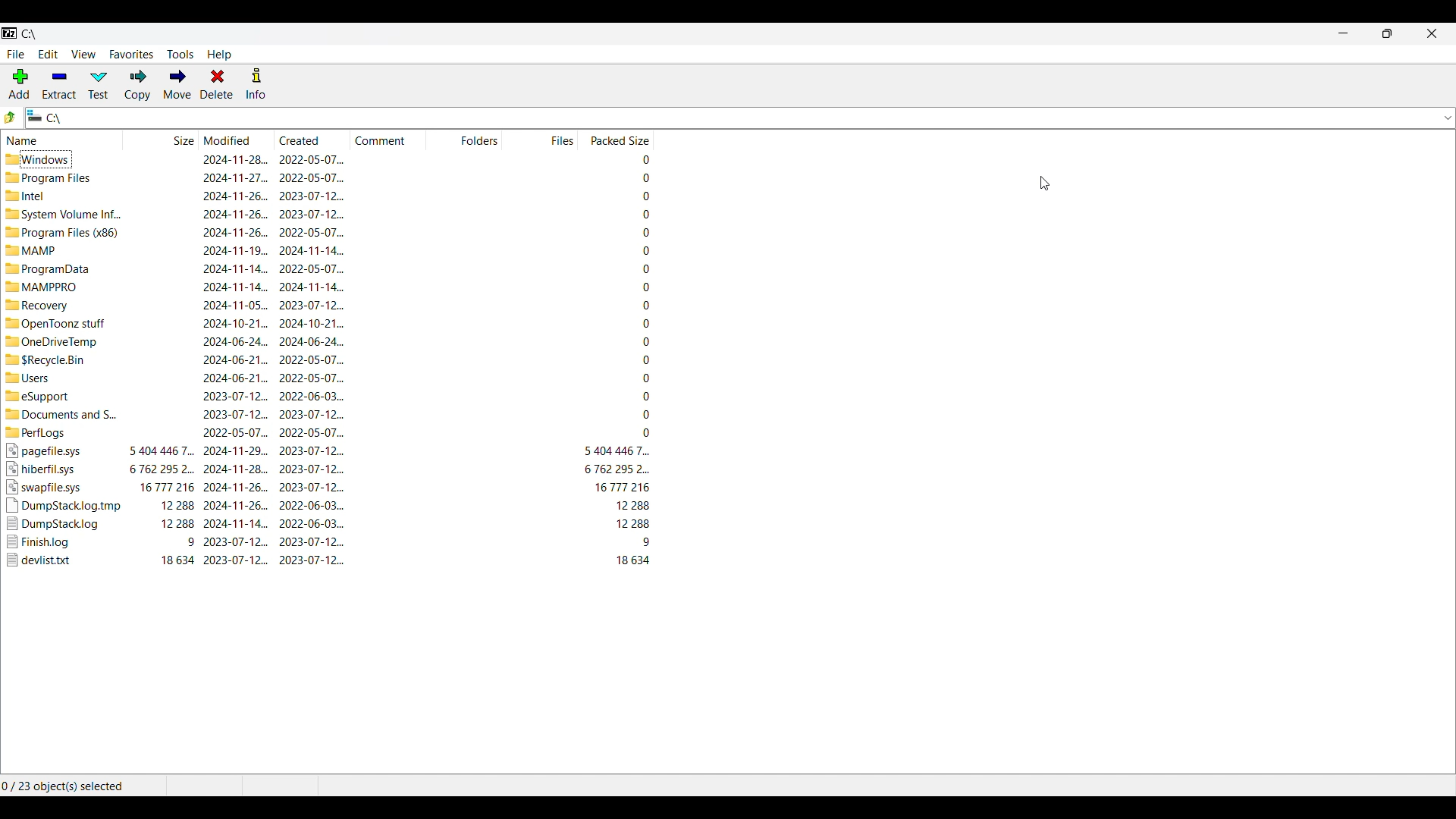  Describe the element at coordinates (57, 177) in the screenshot. I see `Porgra Files` at that location.